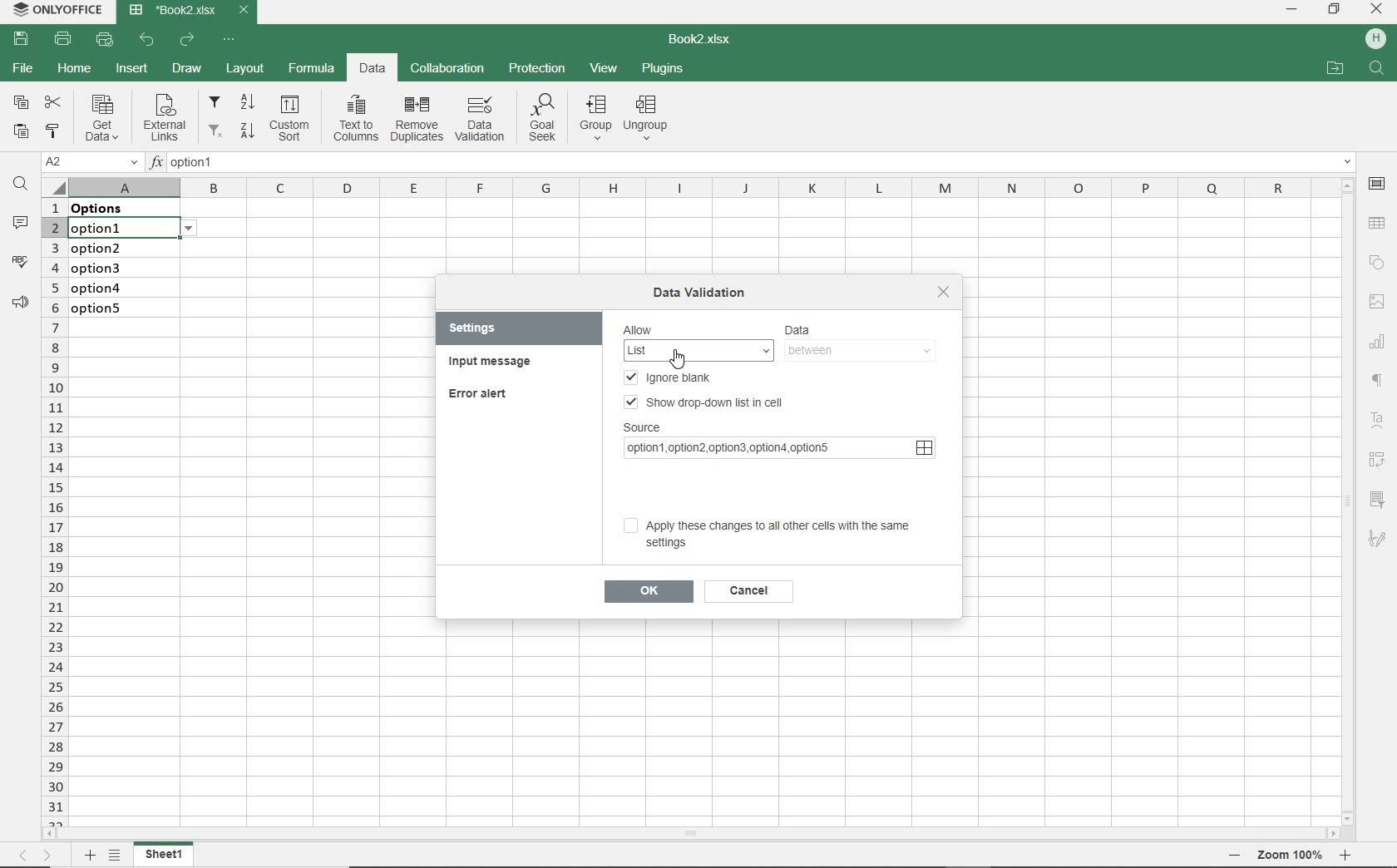 The image size is (1397, 868). I want to click on NAME MANAGER, so click(91, 162).